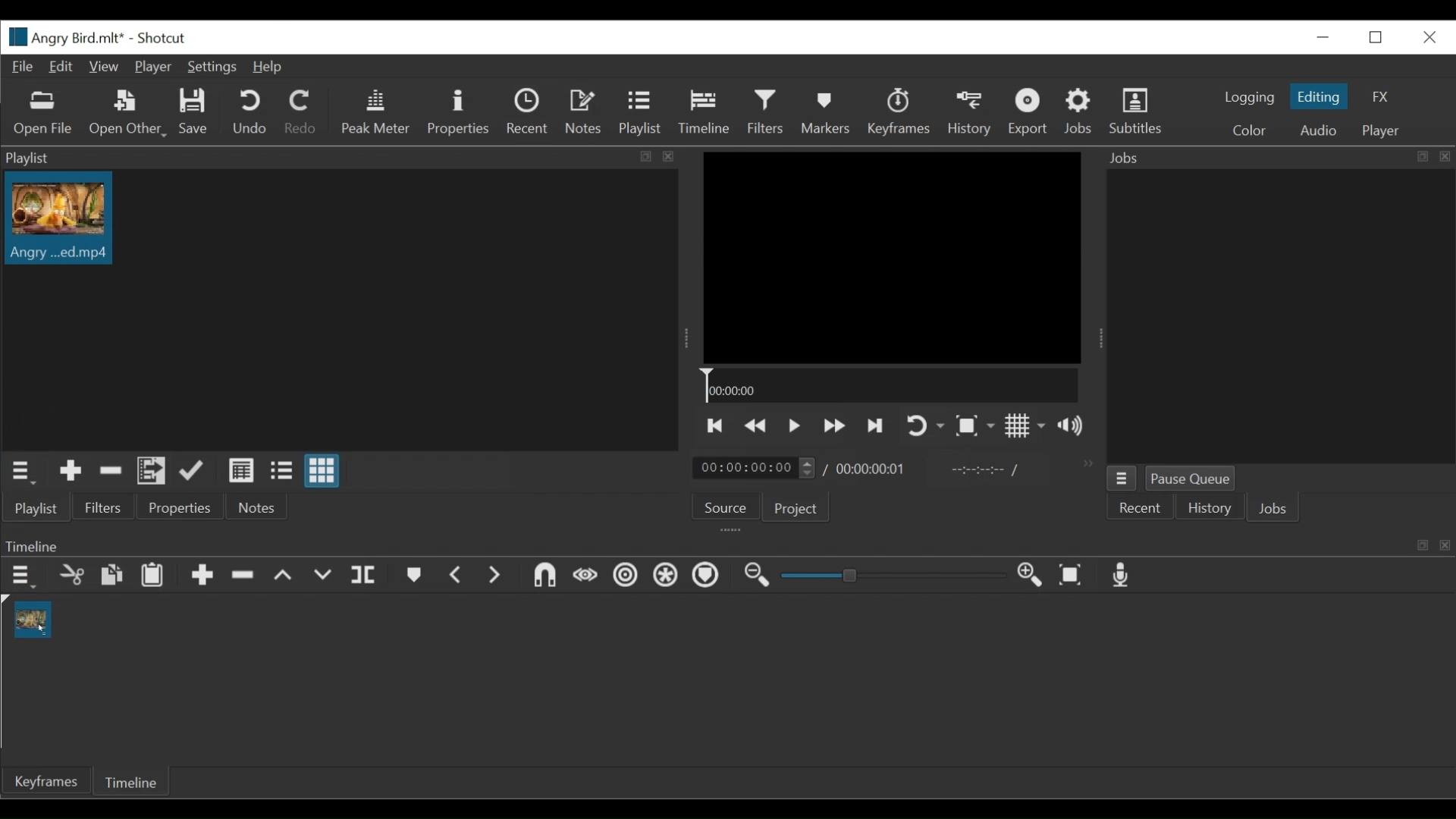 This screenshot has width=1456, height=819. Describe the element at coordinates (497, 576) in the screenshot. I see `Next Marker` at that location.